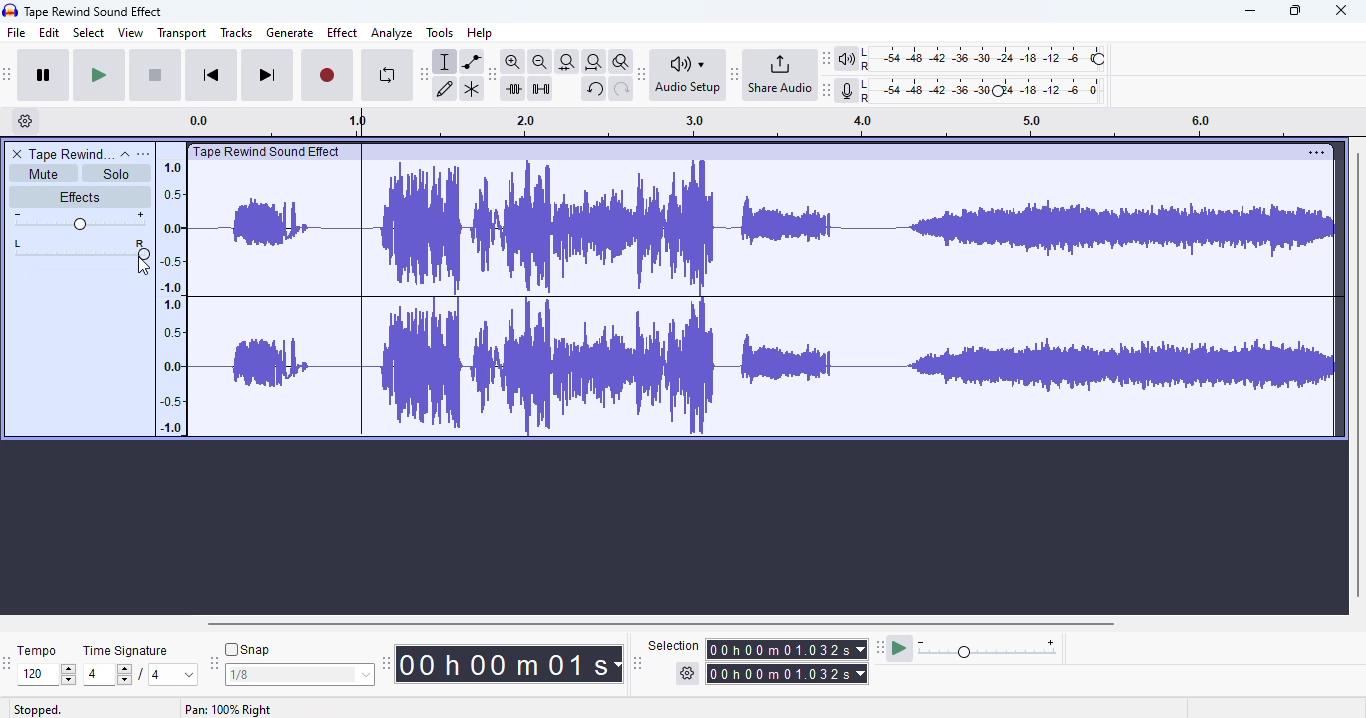 This screenshot has height=718, width=1366. What do you see at coordinates (44, 174) in the screenshot?
I see `mute` at bounding box center [44, 174].